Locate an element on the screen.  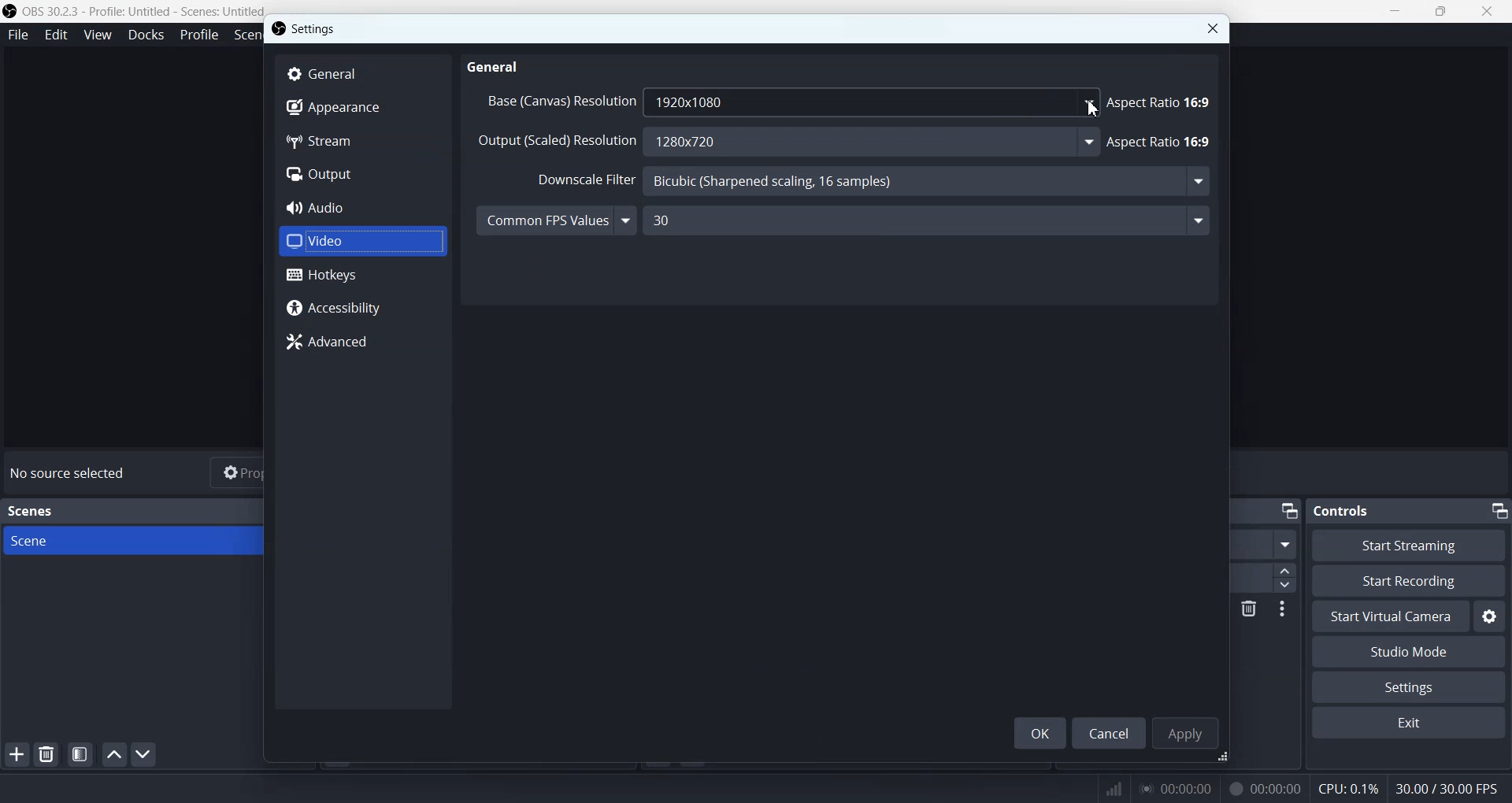
Studio Mode is located at coordinates (1407, 652).